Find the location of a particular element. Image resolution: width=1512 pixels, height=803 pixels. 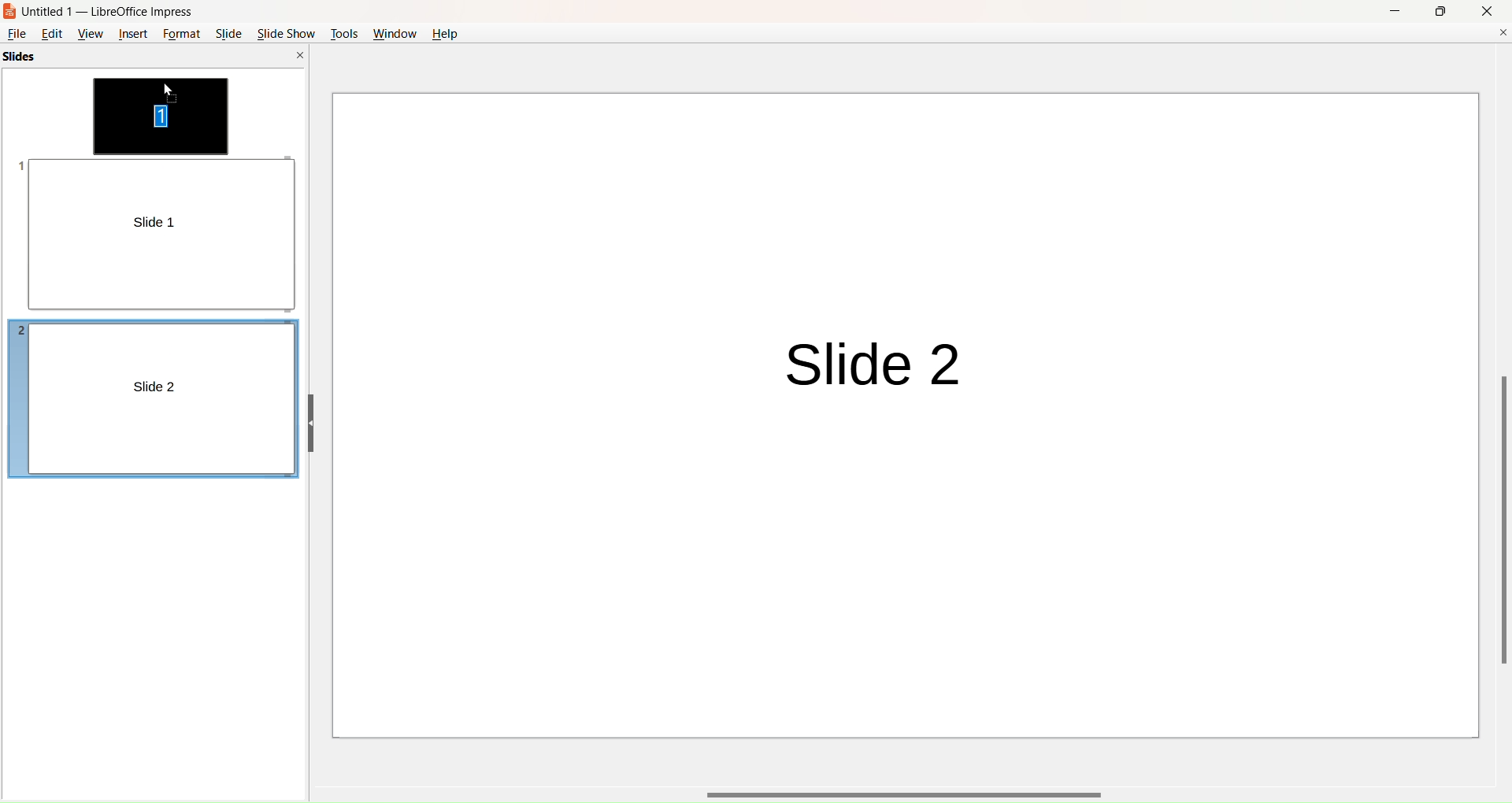

file is located at coordinates (18, 33).